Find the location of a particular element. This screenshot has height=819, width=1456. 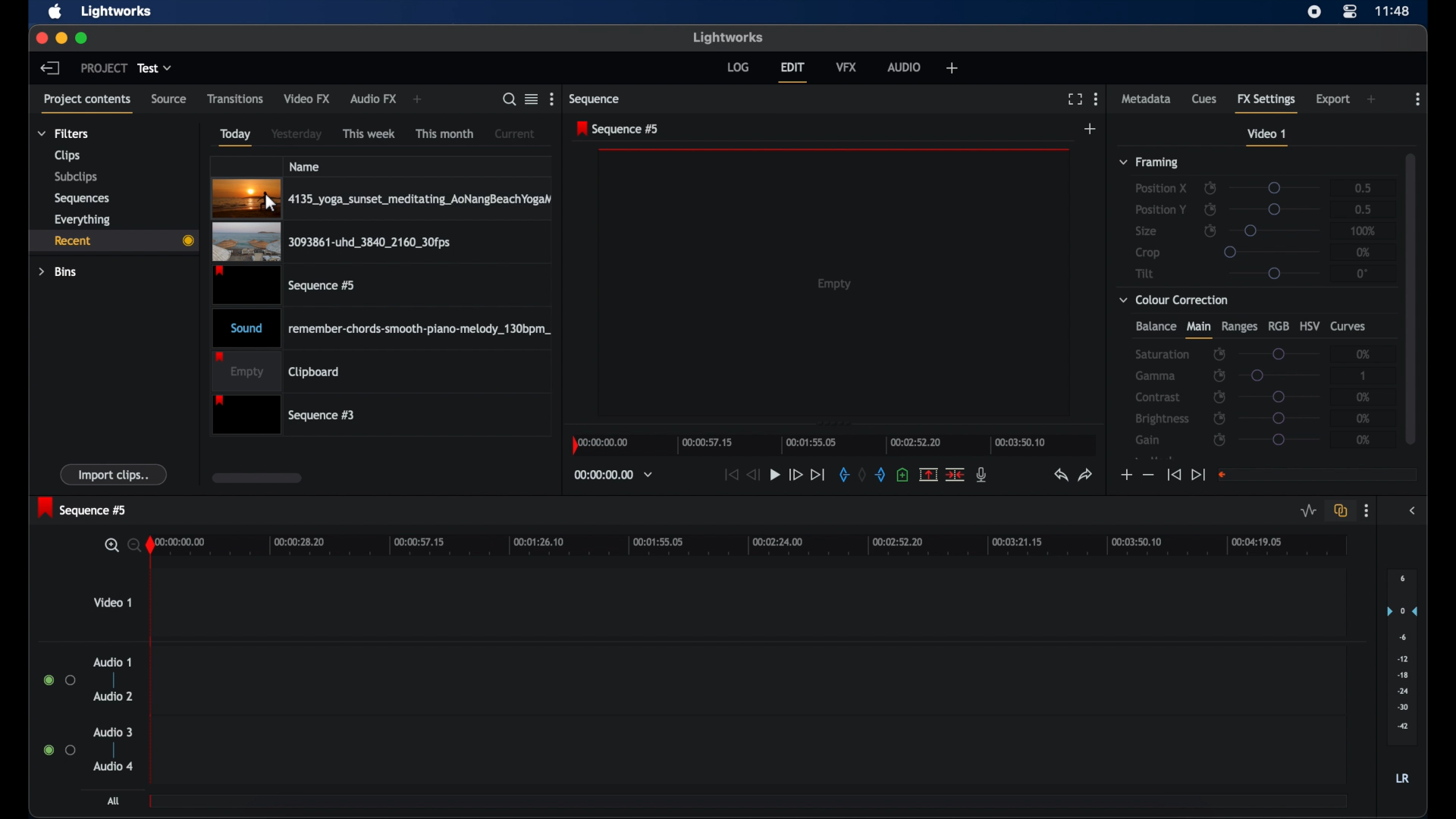

hsv is located at coordinates (1310, 325).